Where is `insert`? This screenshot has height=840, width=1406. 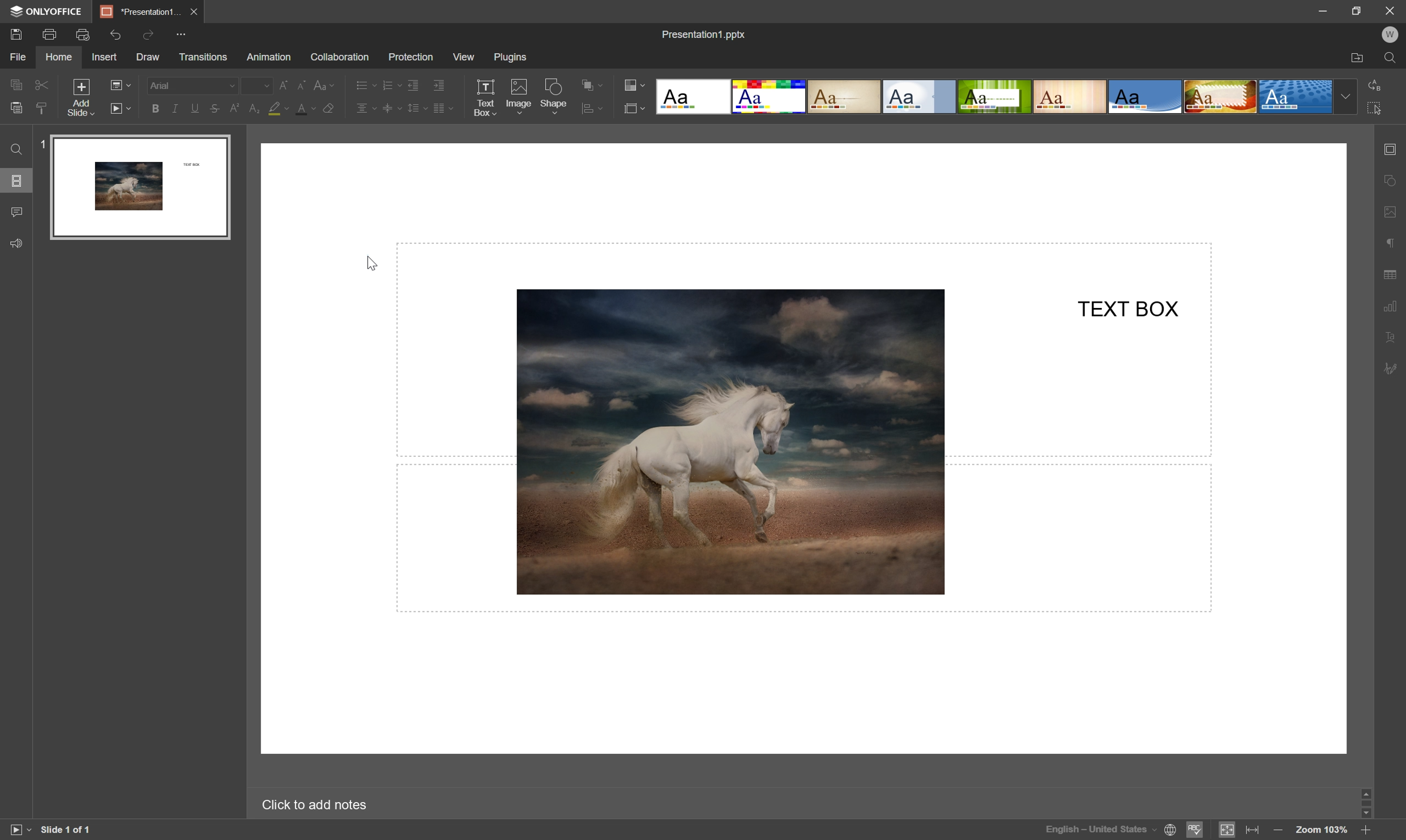 insert is located at coordinates (106, 58).